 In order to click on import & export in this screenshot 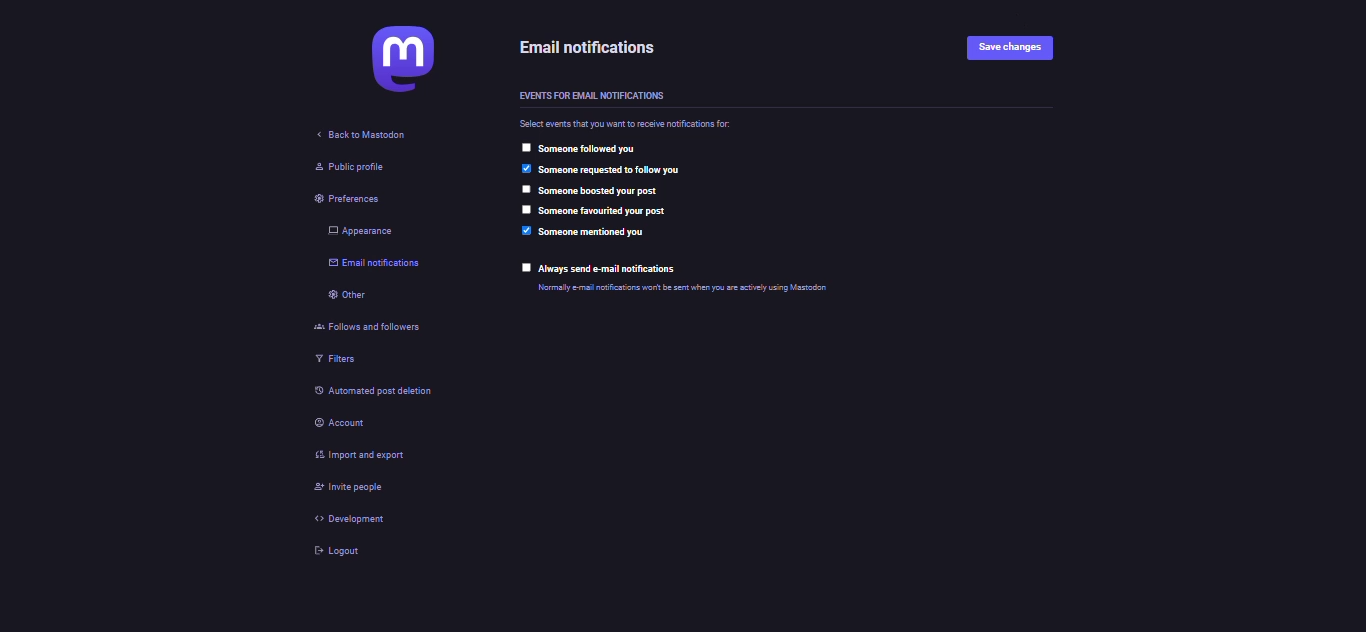, I will do `click(362, 456)`.